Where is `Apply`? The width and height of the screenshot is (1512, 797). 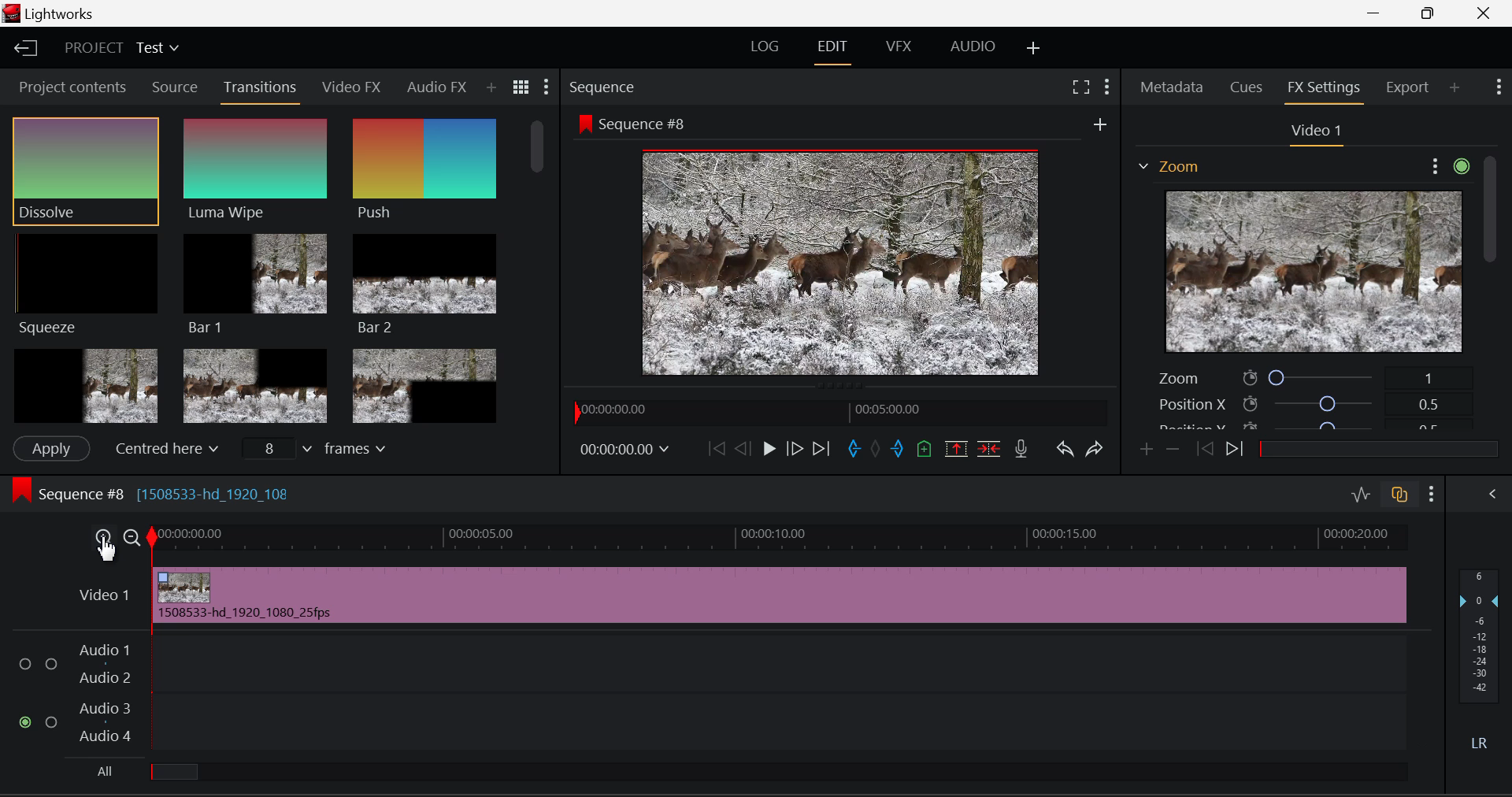
Apply is located at coordinates (48, 449).